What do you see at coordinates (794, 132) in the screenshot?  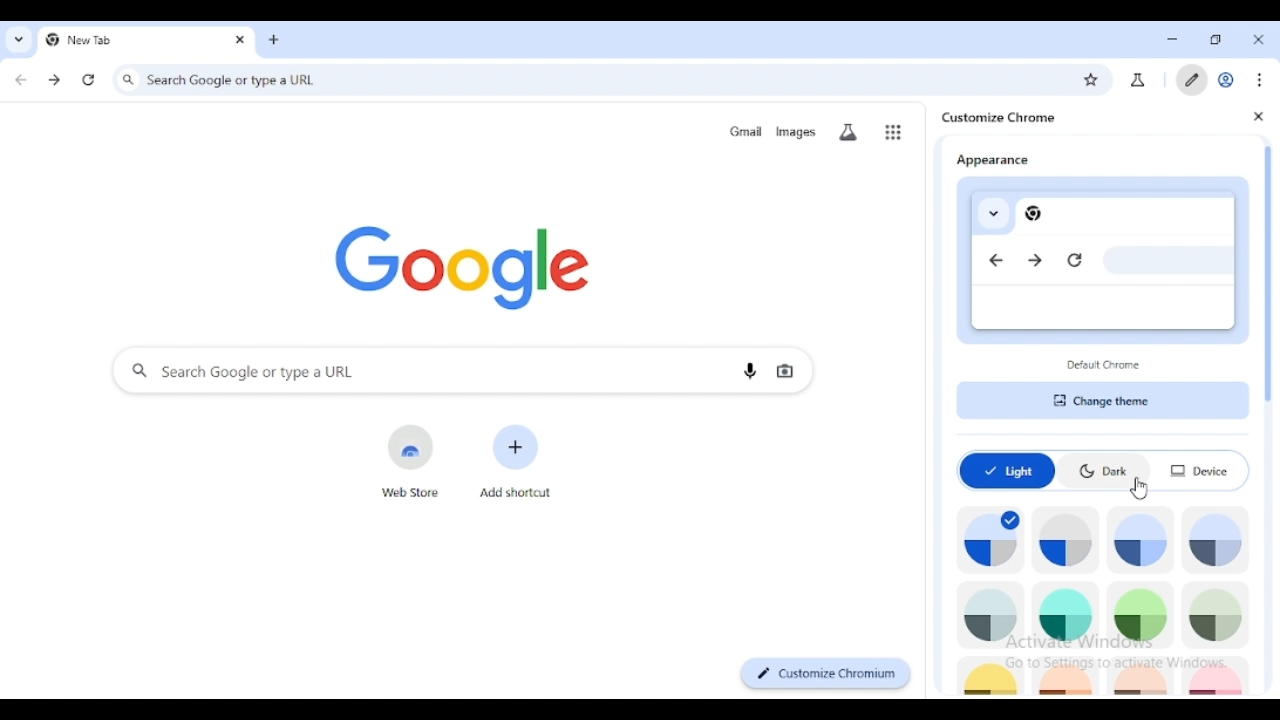 I see `images` at bounding box center [794, 132].